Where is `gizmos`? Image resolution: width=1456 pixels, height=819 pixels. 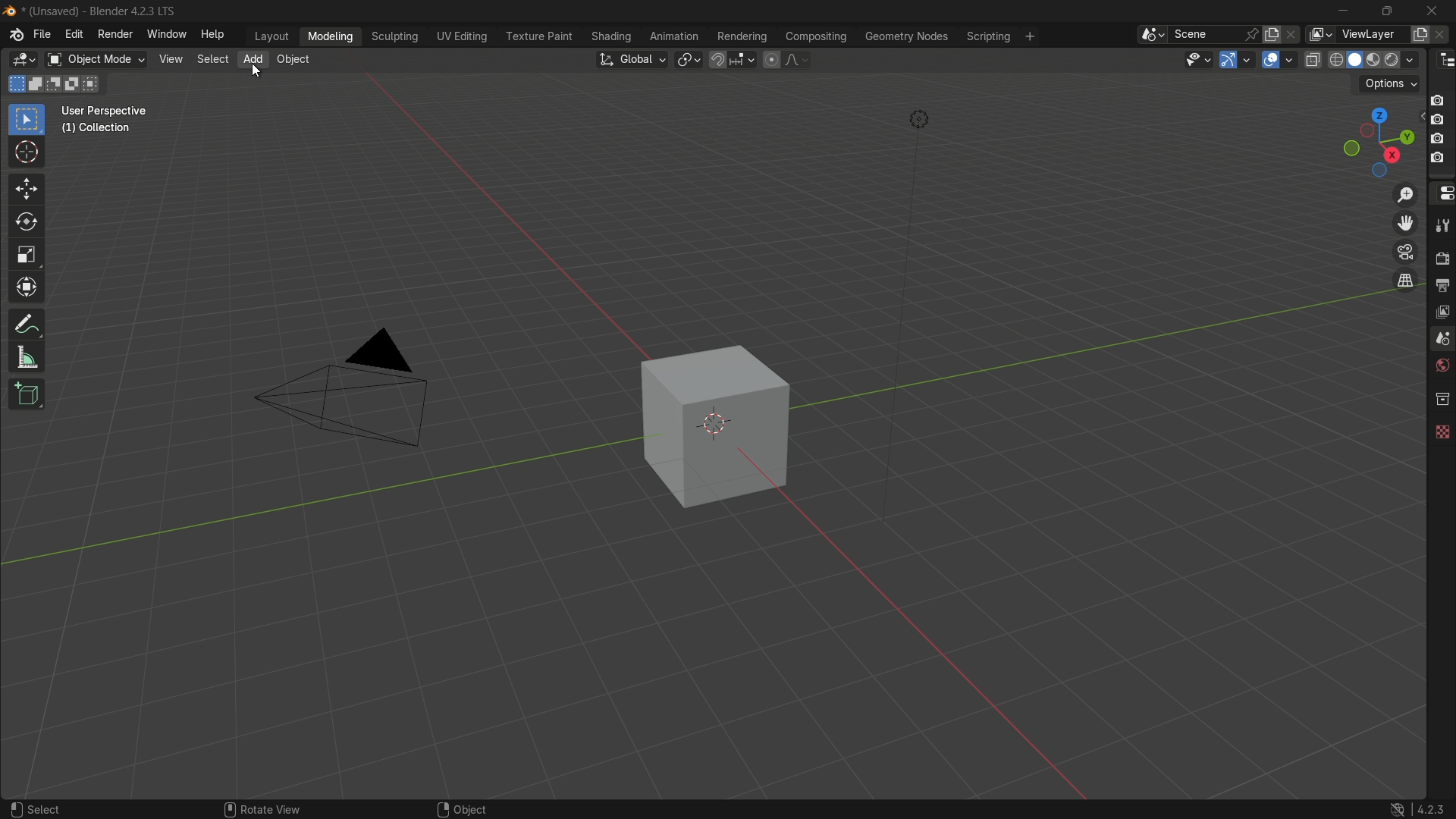
gizmos is located at coordinates (1250, 58).